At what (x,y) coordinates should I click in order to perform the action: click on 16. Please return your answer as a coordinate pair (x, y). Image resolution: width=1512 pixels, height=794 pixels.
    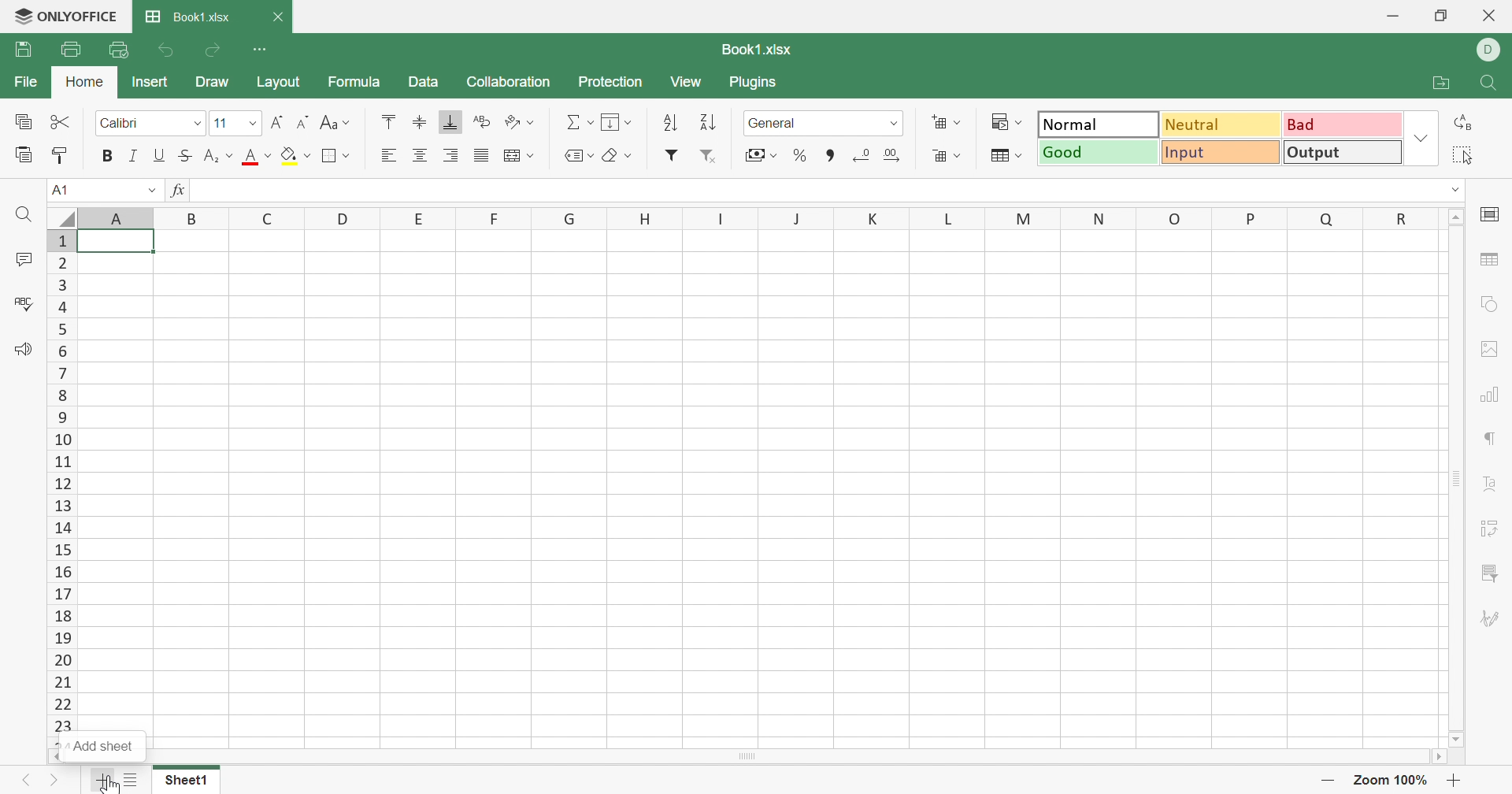
    Looking at the image, I should click on (65, 574).